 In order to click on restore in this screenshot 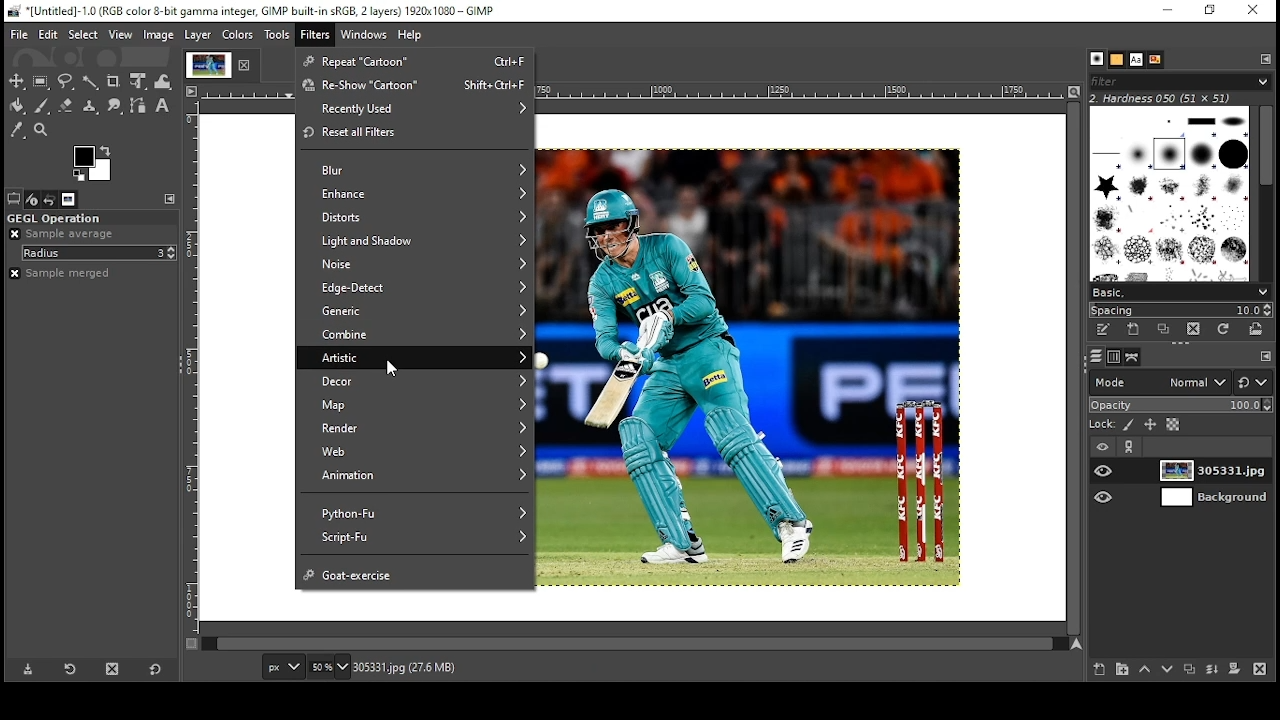, I will do `click(1208, 11)`.